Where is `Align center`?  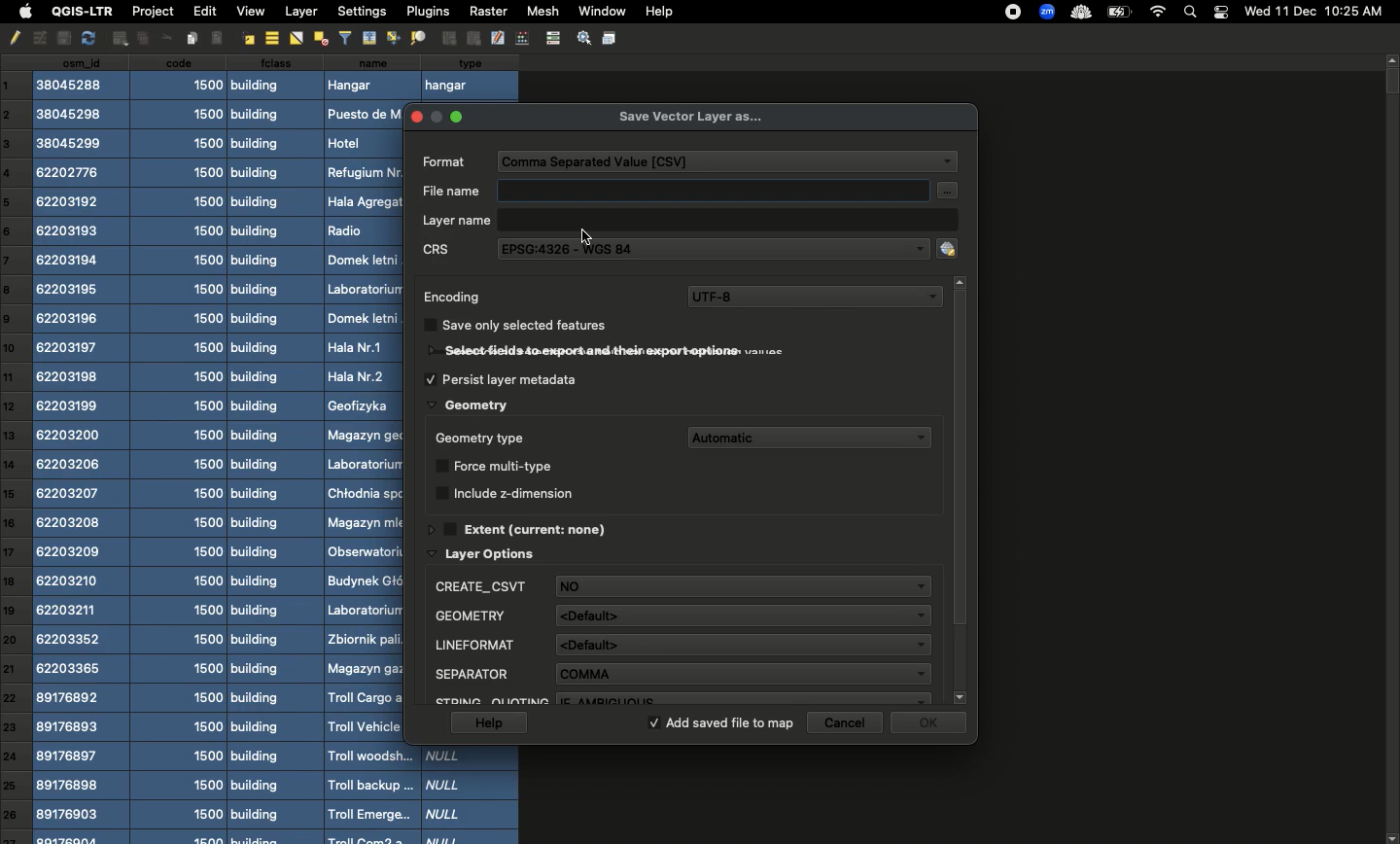 Align center is located at coordinates (270, 38).